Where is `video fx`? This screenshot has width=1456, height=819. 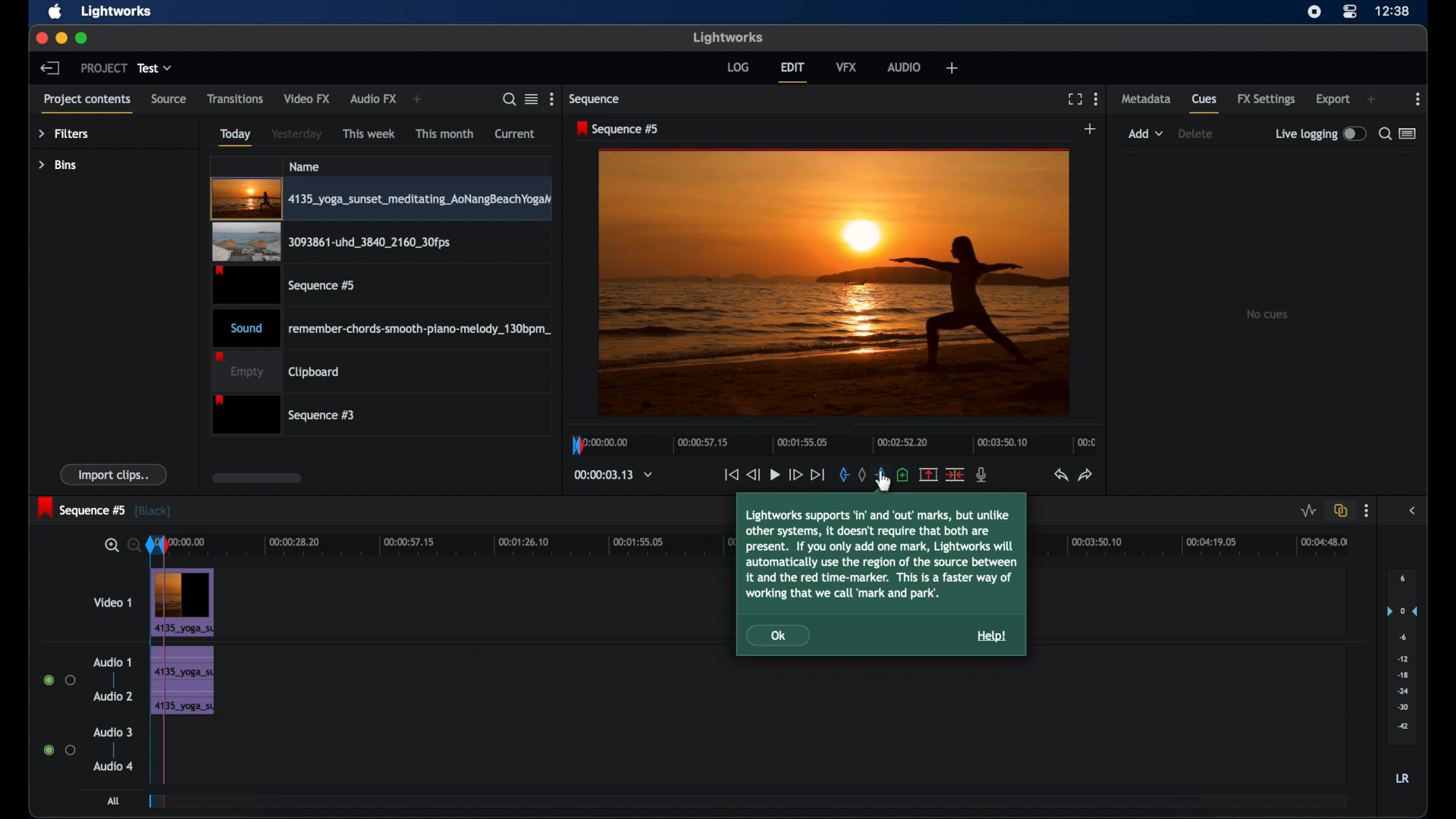 video fx is located at coordinates (308, 99).